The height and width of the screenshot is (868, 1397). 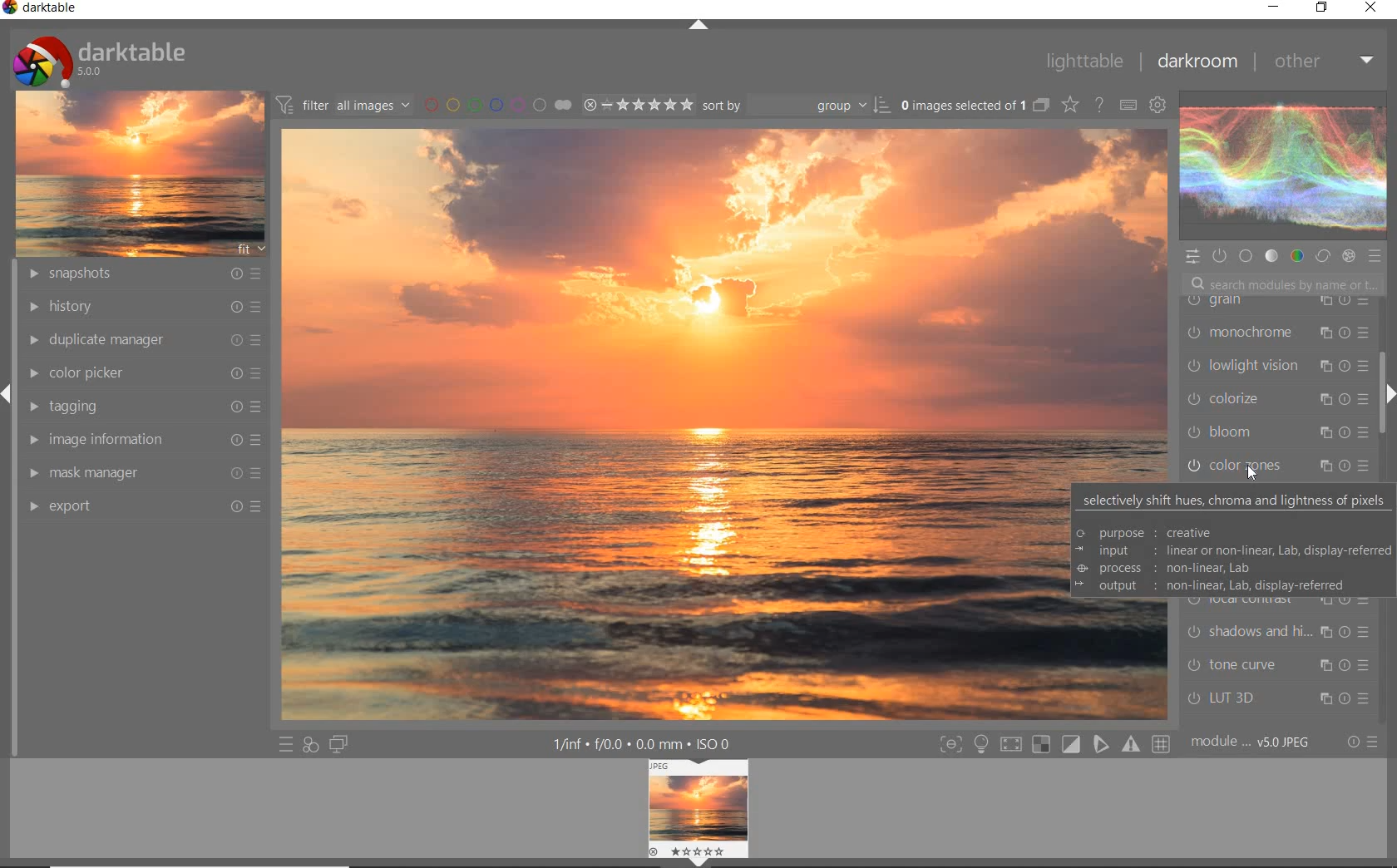 What do you see at coordinates (795, 106) in the screenshot?
I see `SORT` at bounding box center [795, 106].